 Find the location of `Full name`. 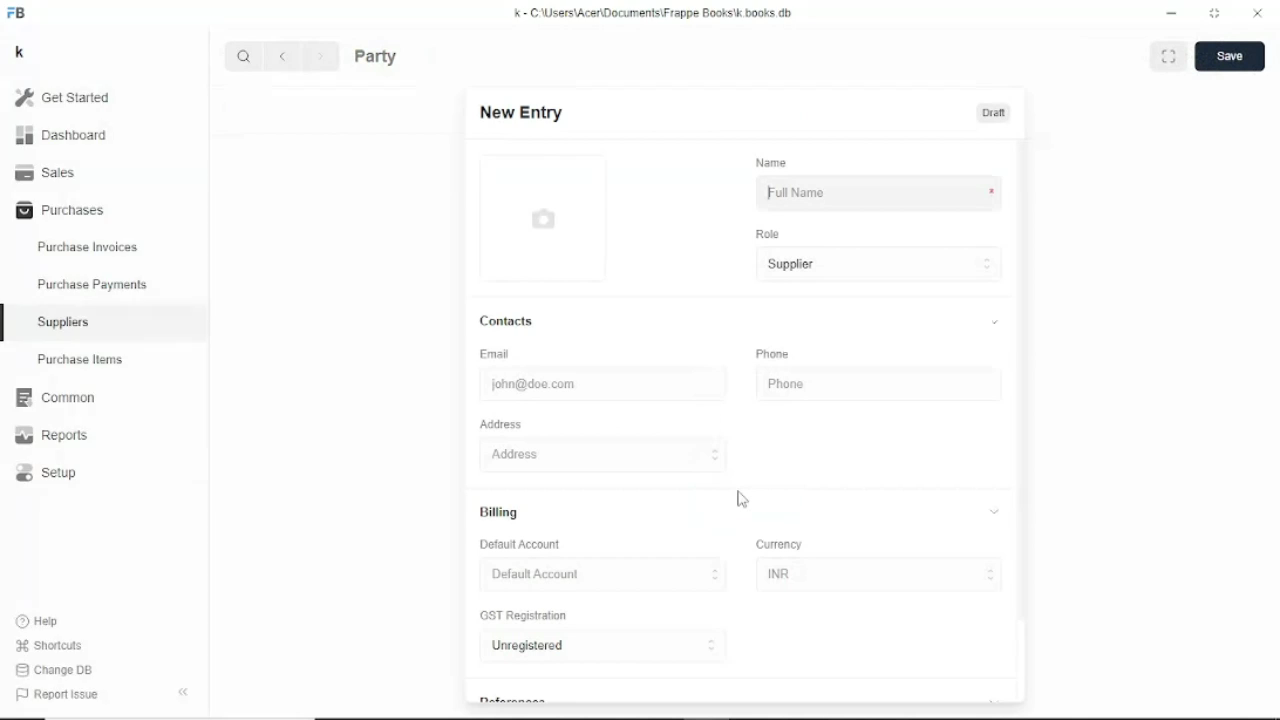

Full name is located at coordinates (878, 195).